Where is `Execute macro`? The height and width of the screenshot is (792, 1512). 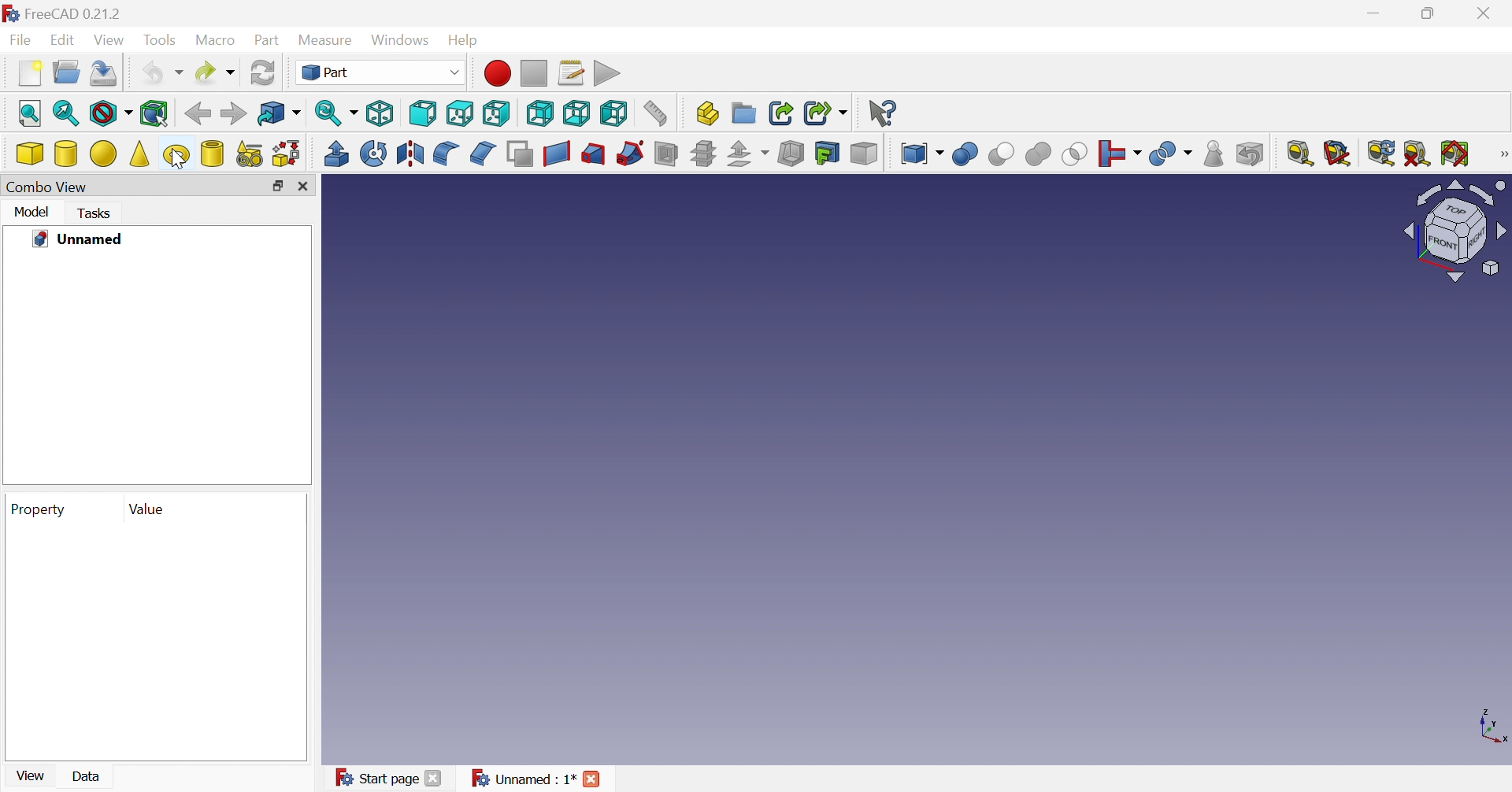 Execute macro is located at coordinates (610, 73).